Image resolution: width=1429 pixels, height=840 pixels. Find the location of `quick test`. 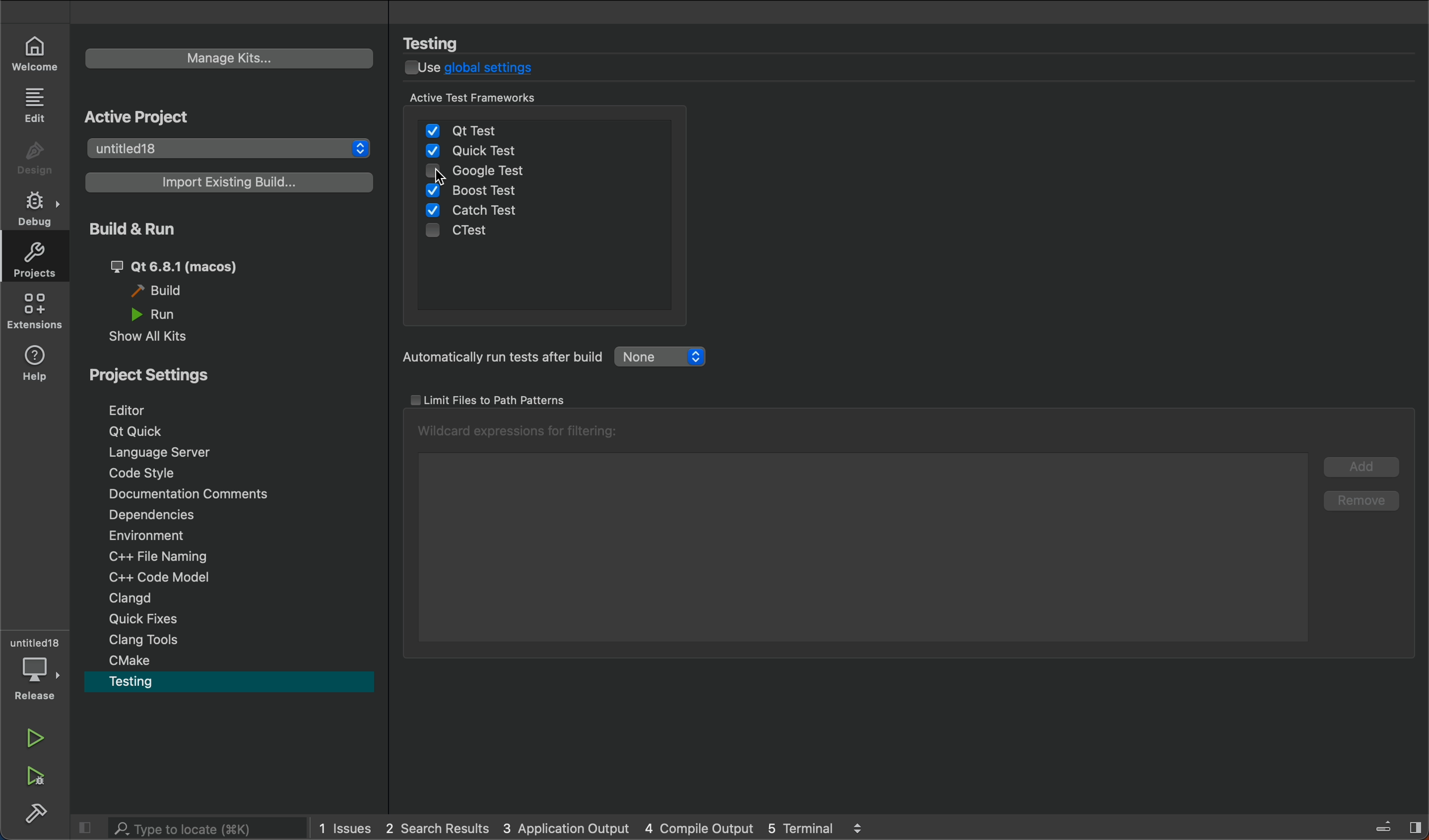

quick test is located at coordinates (495, 151).